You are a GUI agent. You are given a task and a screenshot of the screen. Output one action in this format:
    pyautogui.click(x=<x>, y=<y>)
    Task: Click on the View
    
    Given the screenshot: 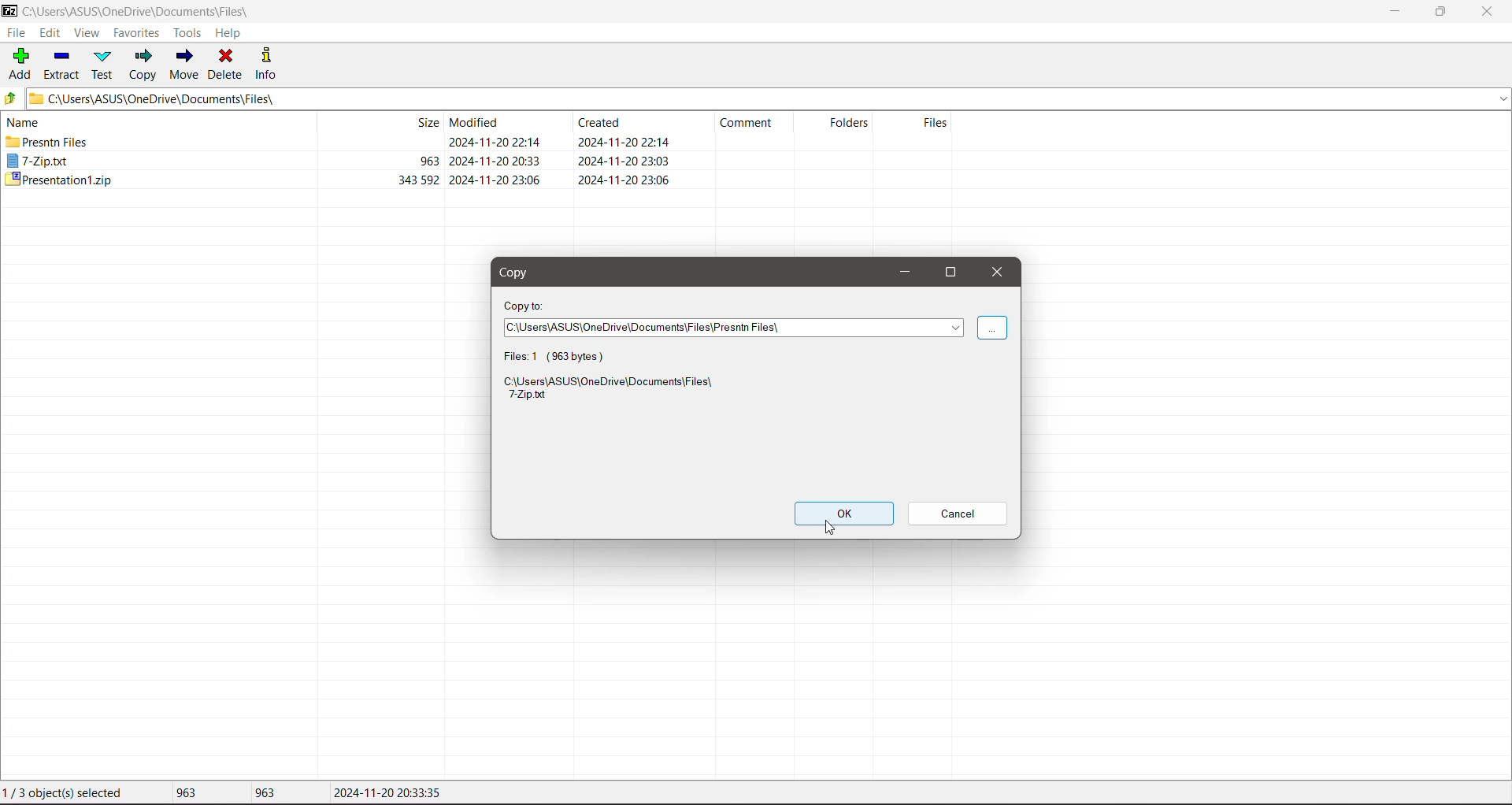 What is the action you would take?
    pyautogui.click(x=87, y=34)
    